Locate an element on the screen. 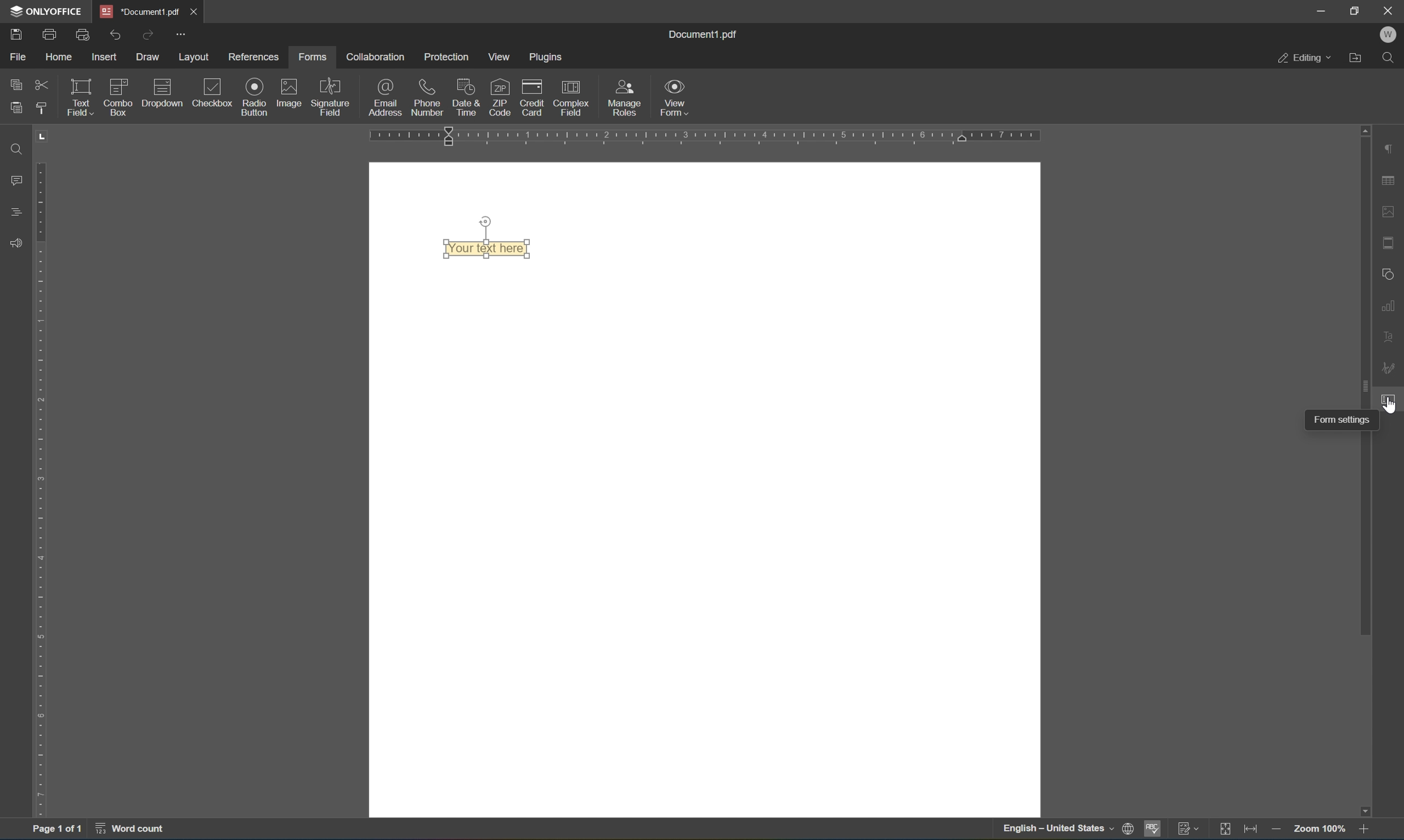 The image size is (1404, 840). view is located at coordinates (501, 57).